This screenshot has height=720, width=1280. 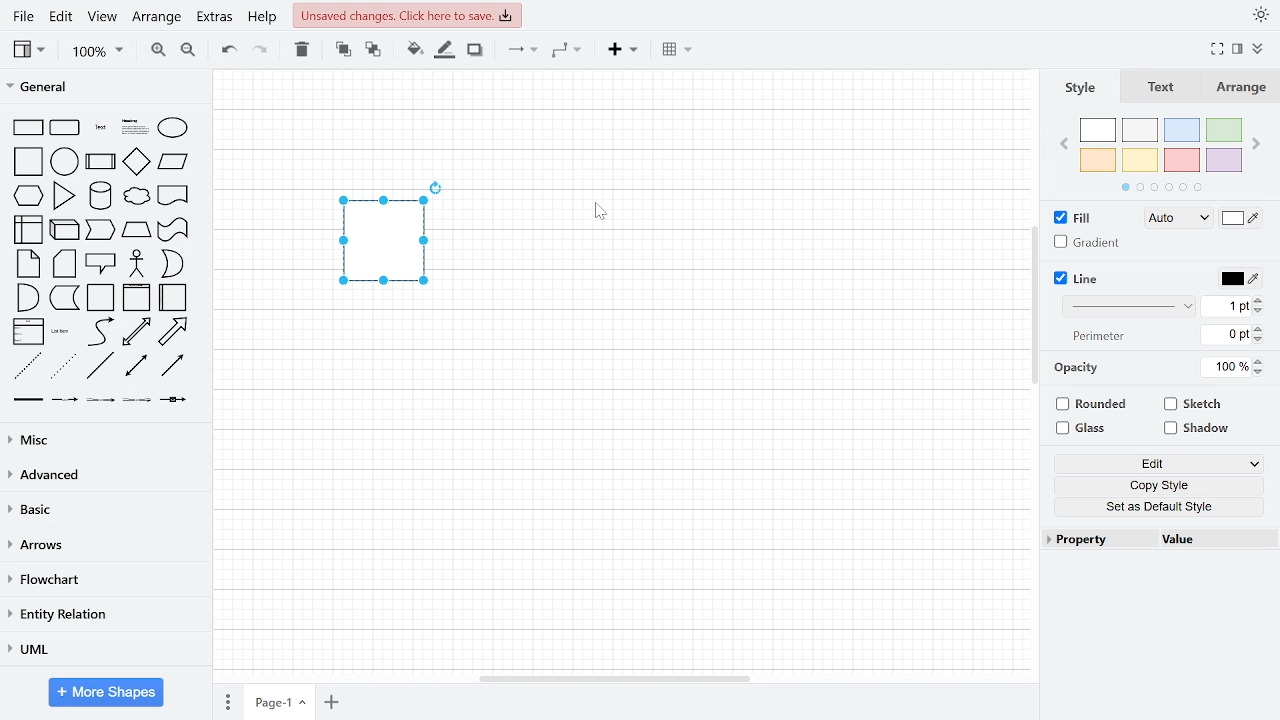 What do you see at coordinates (156, 50) in the screenshot?
I see `zoom in` at bounding box center [156, 50].